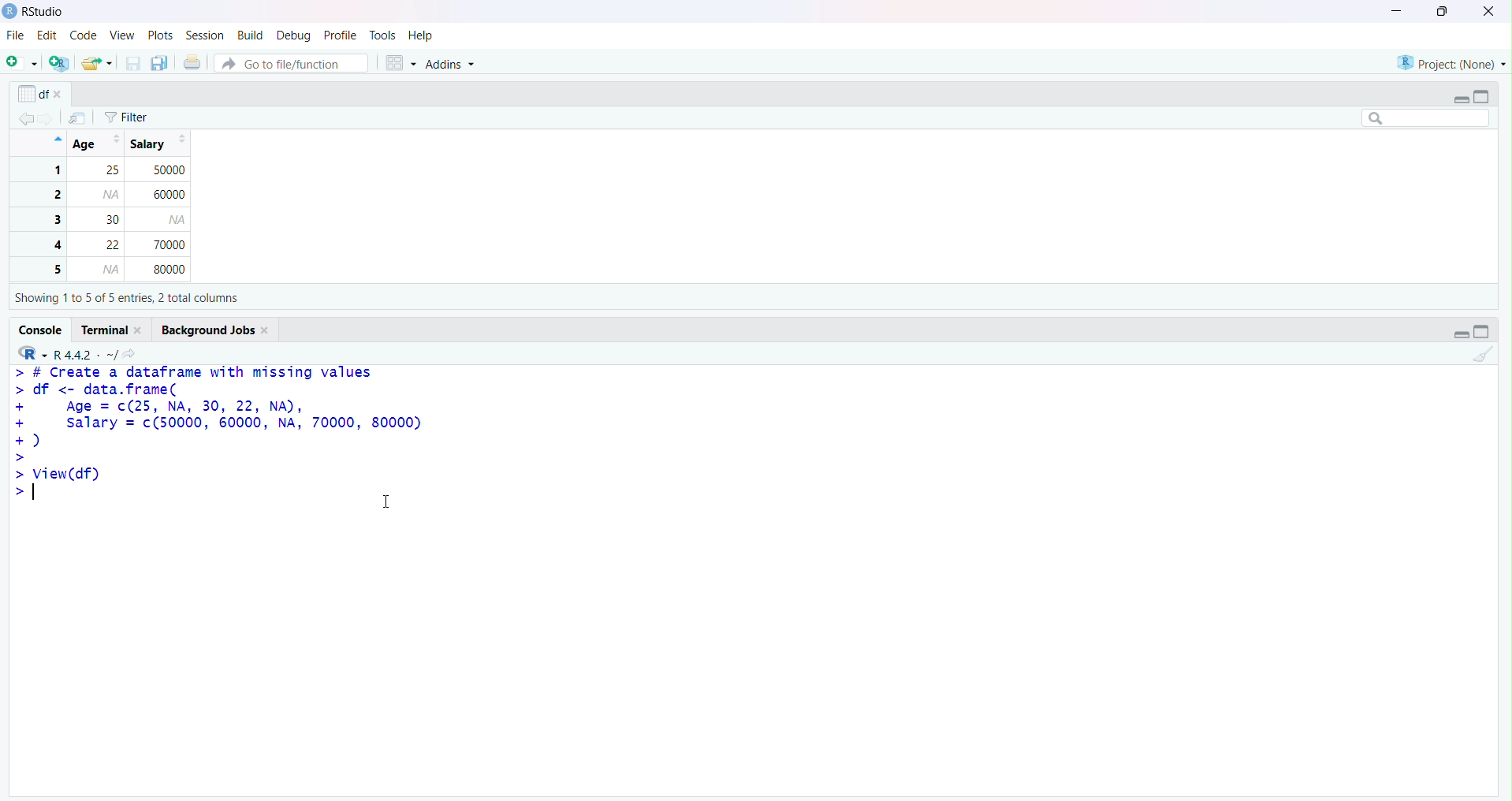 This screenshot has width=1512, height=801. What do you see at coordinates (296, 35) in the screenshot?
I see `Debug` at bounding box center [296, 35].